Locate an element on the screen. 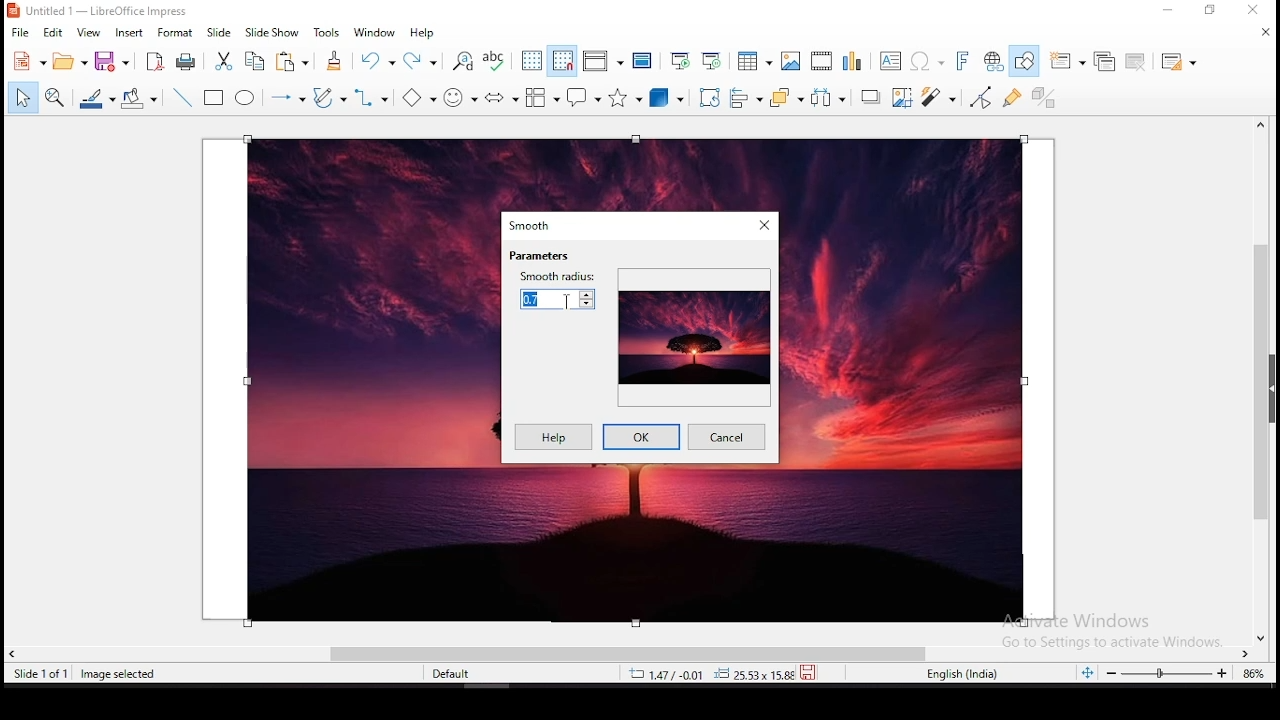 The image size is (1280, 720). insert chart is located at coordinates (851, 62).